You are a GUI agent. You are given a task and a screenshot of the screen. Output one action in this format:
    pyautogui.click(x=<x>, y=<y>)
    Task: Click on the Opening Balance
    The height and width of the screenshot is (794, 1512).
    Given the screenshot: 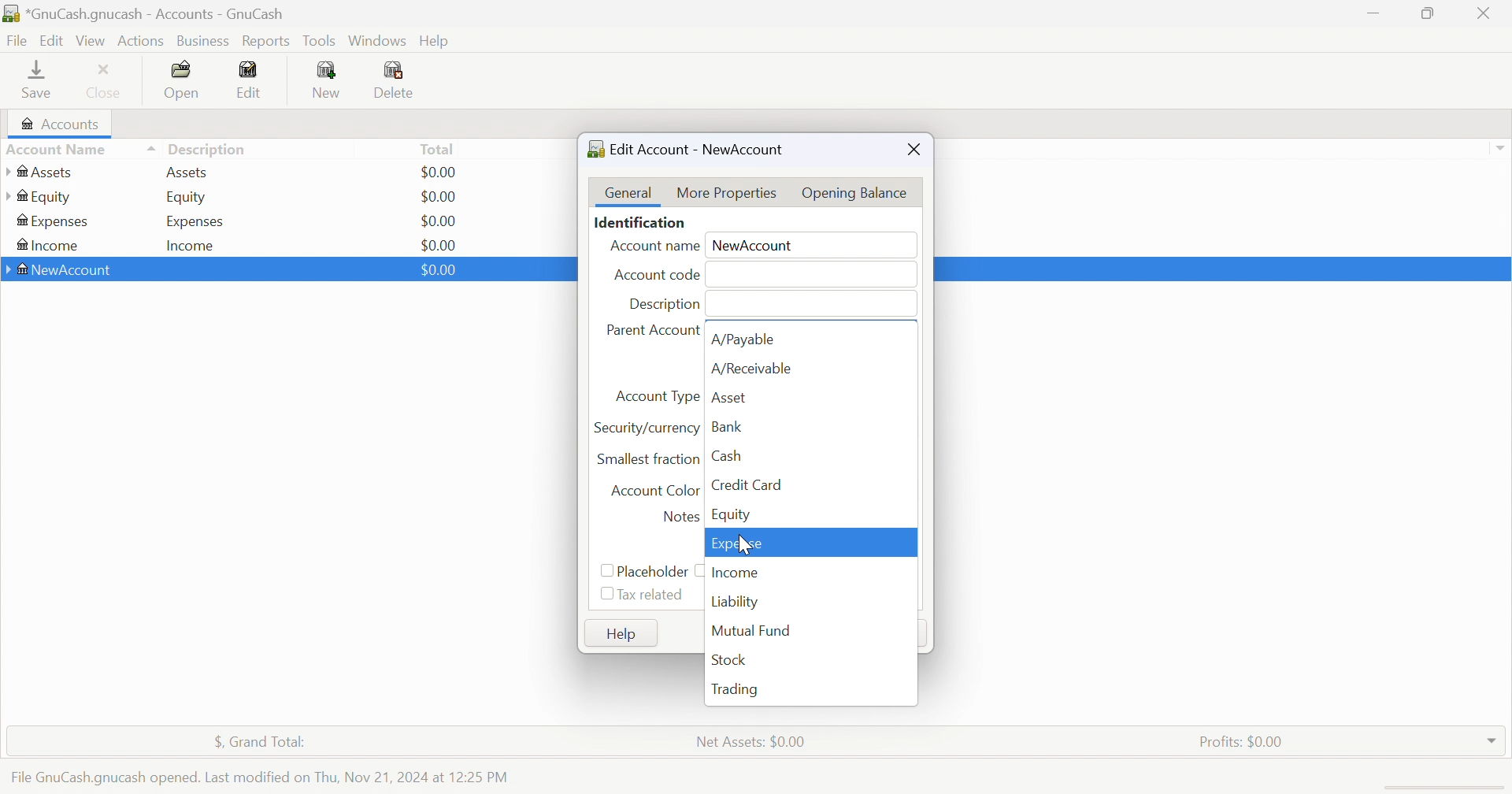 What is the action you would take?
    pyautogui.click(x=857, y=193)
    